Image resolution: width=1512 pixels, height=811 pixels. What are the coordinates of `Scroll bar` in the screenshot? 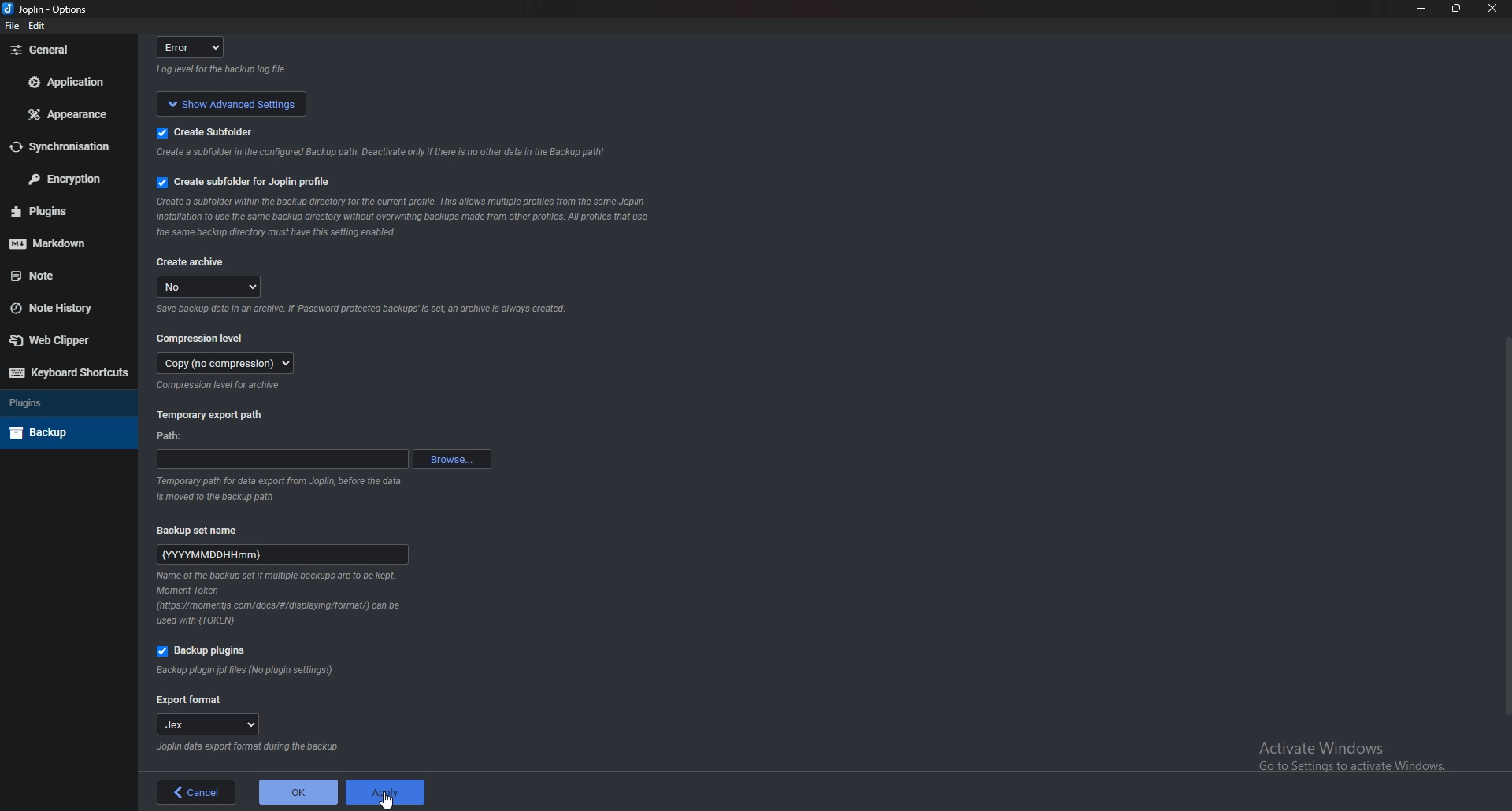 It's located at (1503, 525).